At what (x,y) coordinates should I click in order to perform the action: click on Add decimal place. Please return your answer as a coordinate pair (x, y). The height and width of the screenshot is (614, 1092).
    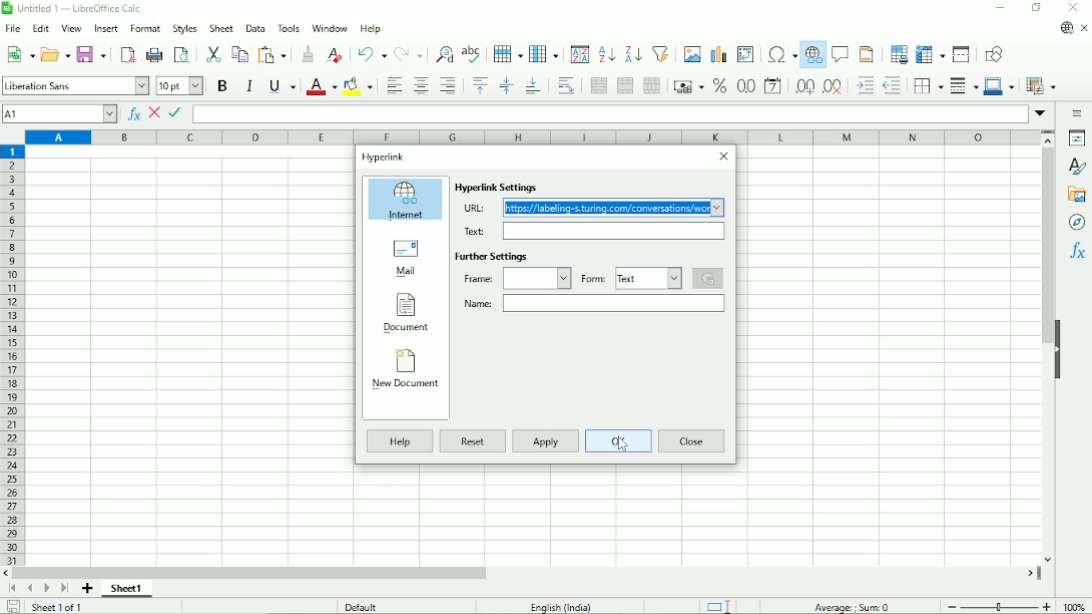
    Looking at the image, I should click on (804, 86).